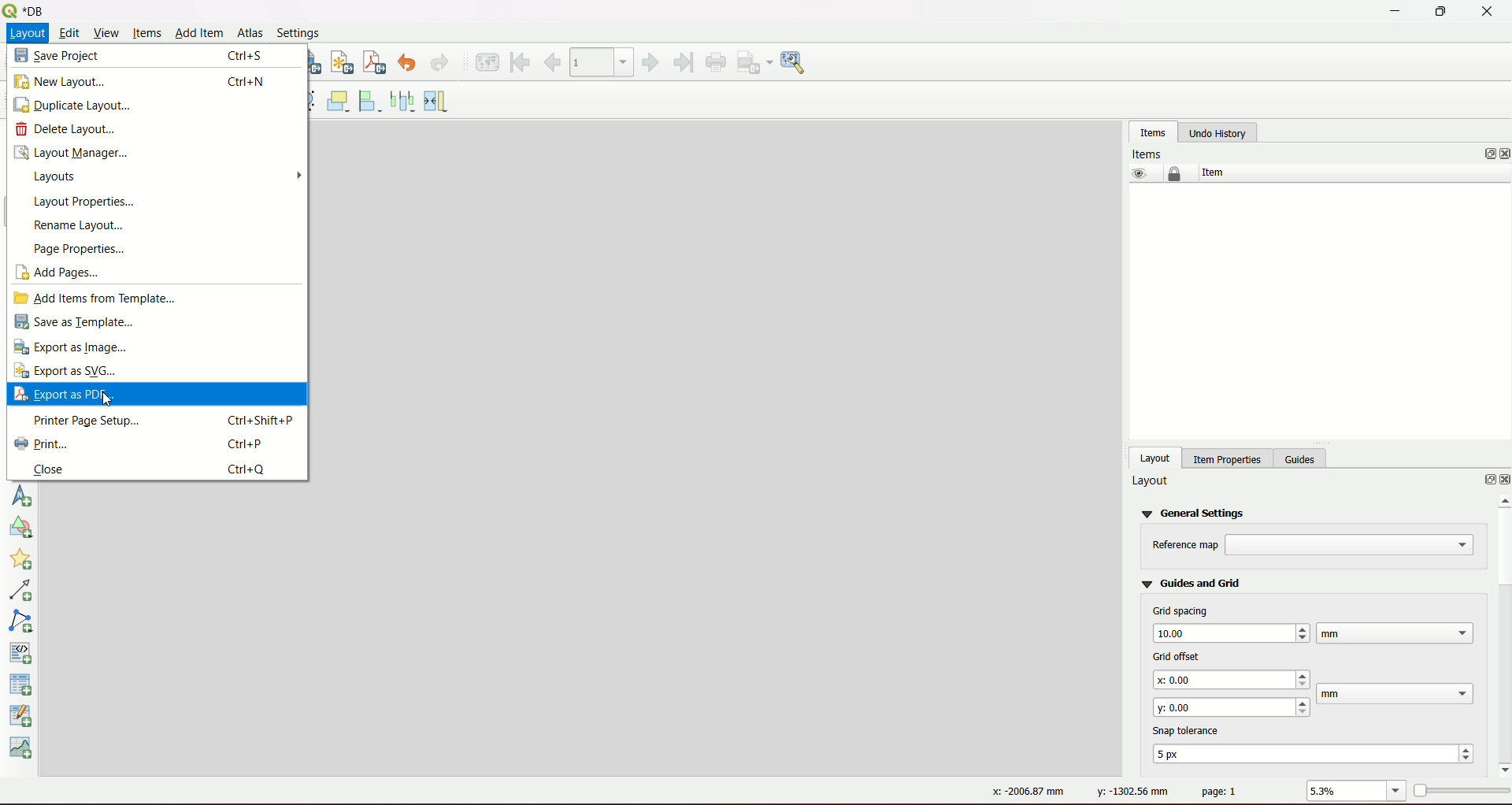 The height and width of the screenshot is (805, 1512). Describe the element at coordinates (84, 206) in the screenshot. I see `layout properties` at that location.